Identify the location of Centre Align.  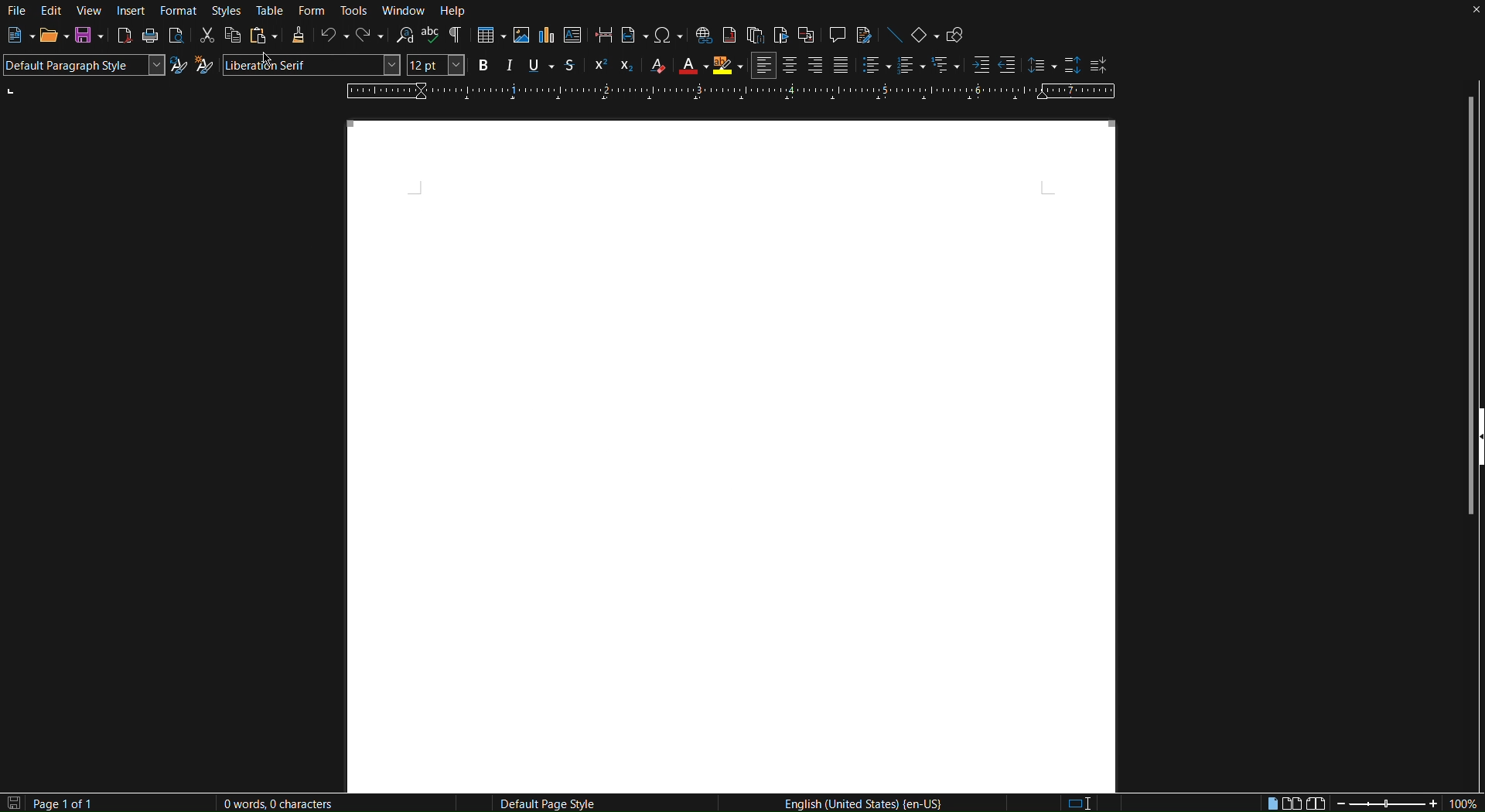
(790, 66).